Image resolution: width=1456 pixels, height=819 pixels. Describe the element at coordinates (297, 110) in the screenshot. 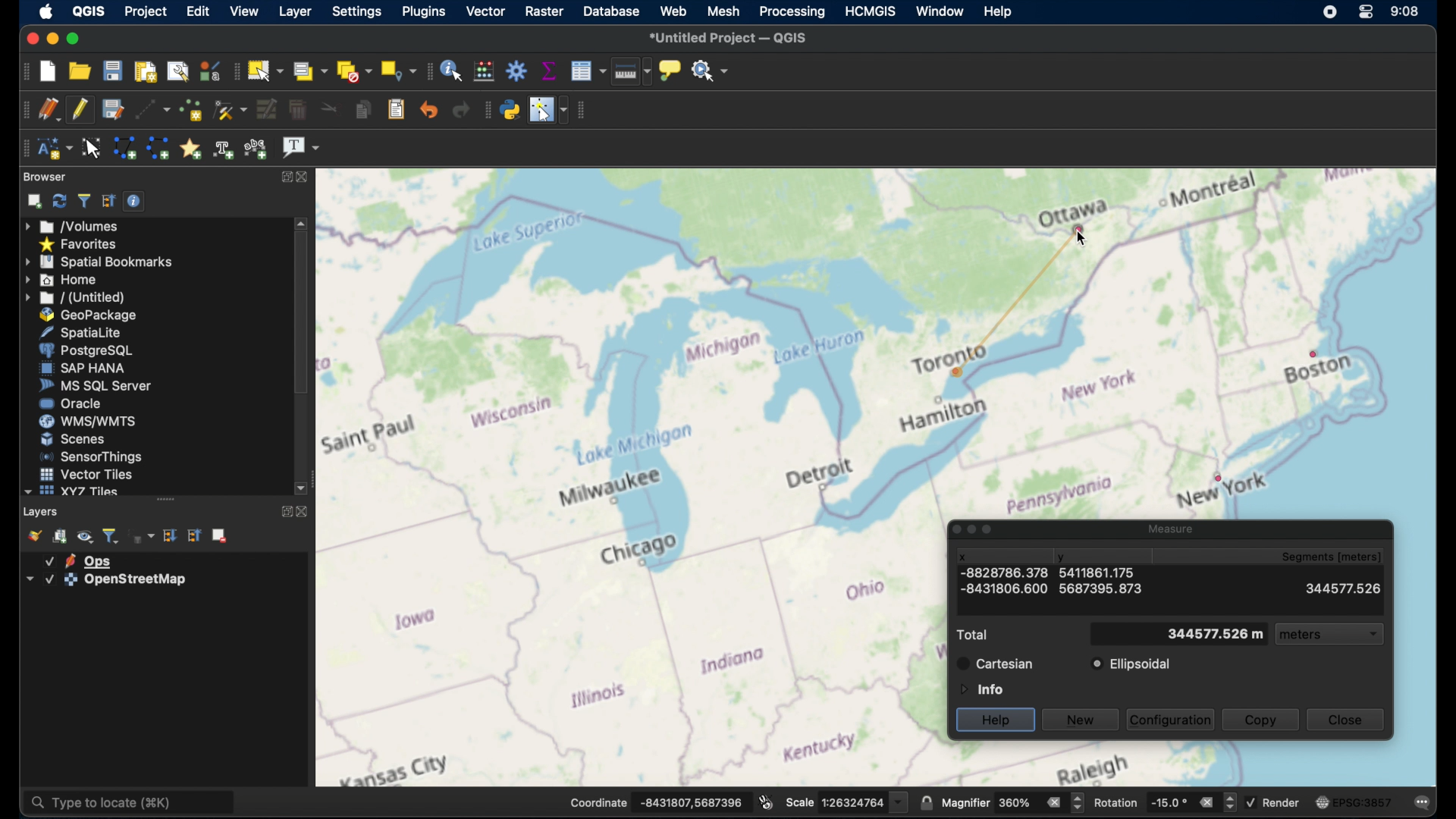

I see `delete selected` at that location.